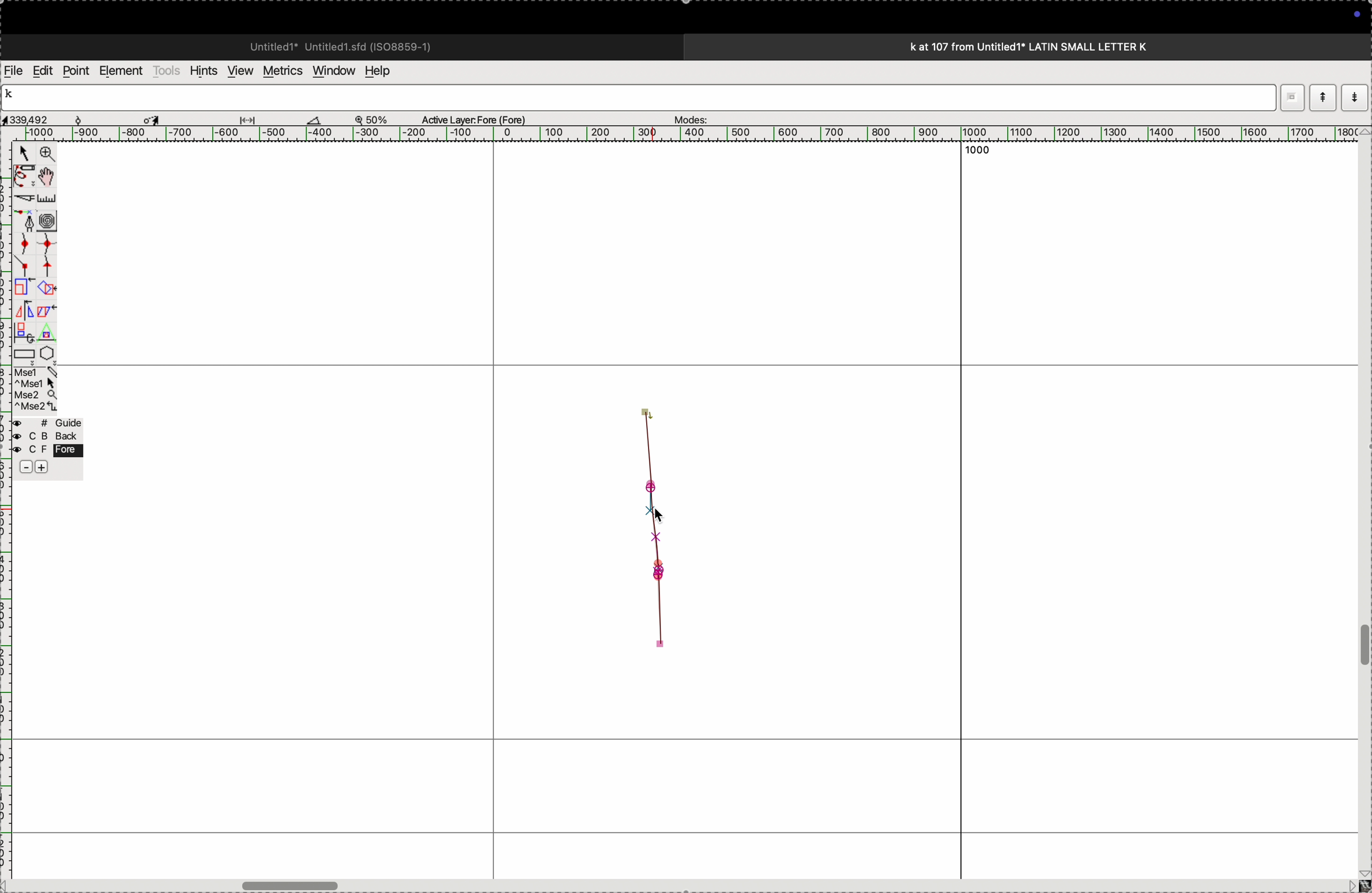 This screenshot has height=893, width=1372. I want to click on random line, so click(647, 451).